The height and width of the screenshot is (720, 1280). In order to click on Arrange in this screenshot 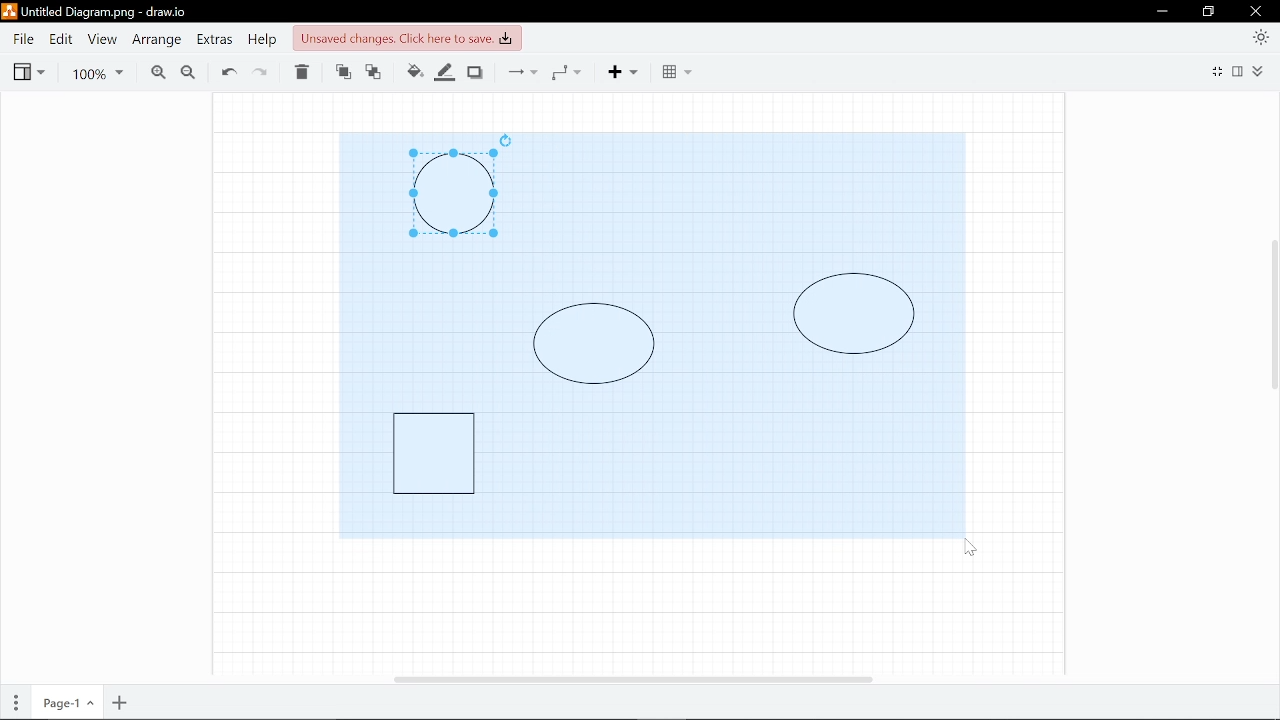, I will do `click(155, 40)`.